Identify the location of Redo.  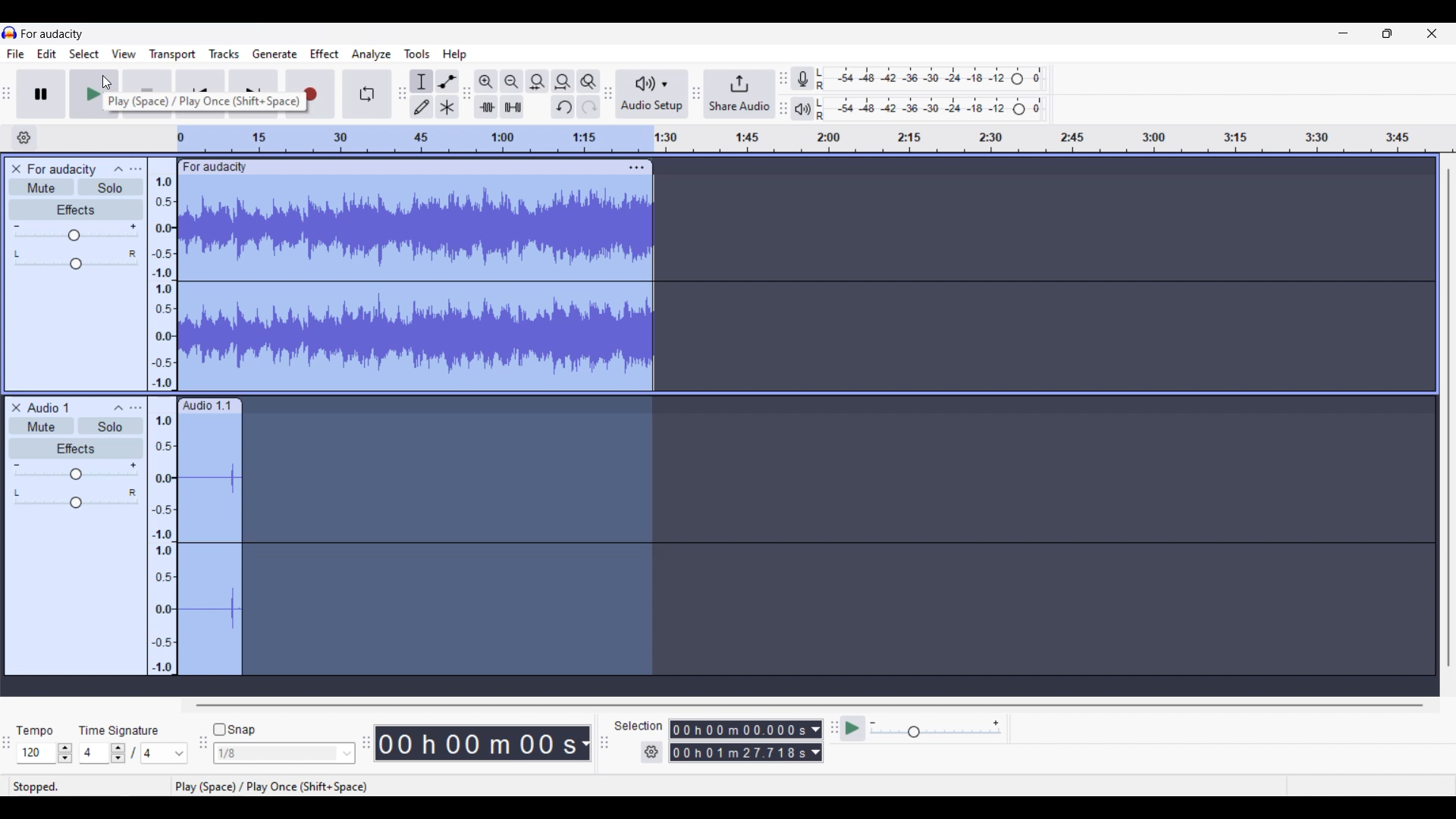
(588, 107).